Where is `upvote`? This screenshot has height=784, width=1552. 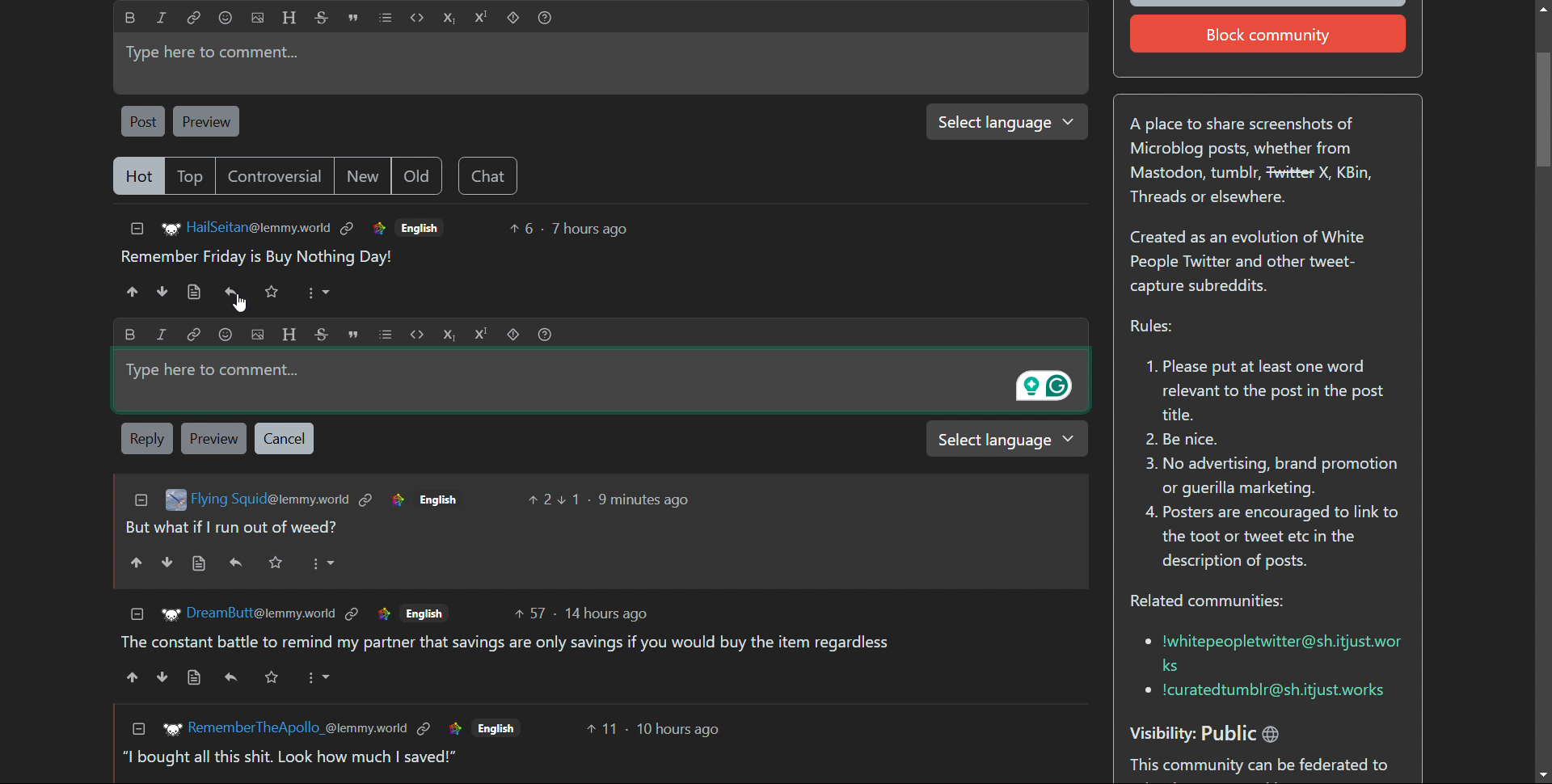 upvote is located at coordinates (135, 563).